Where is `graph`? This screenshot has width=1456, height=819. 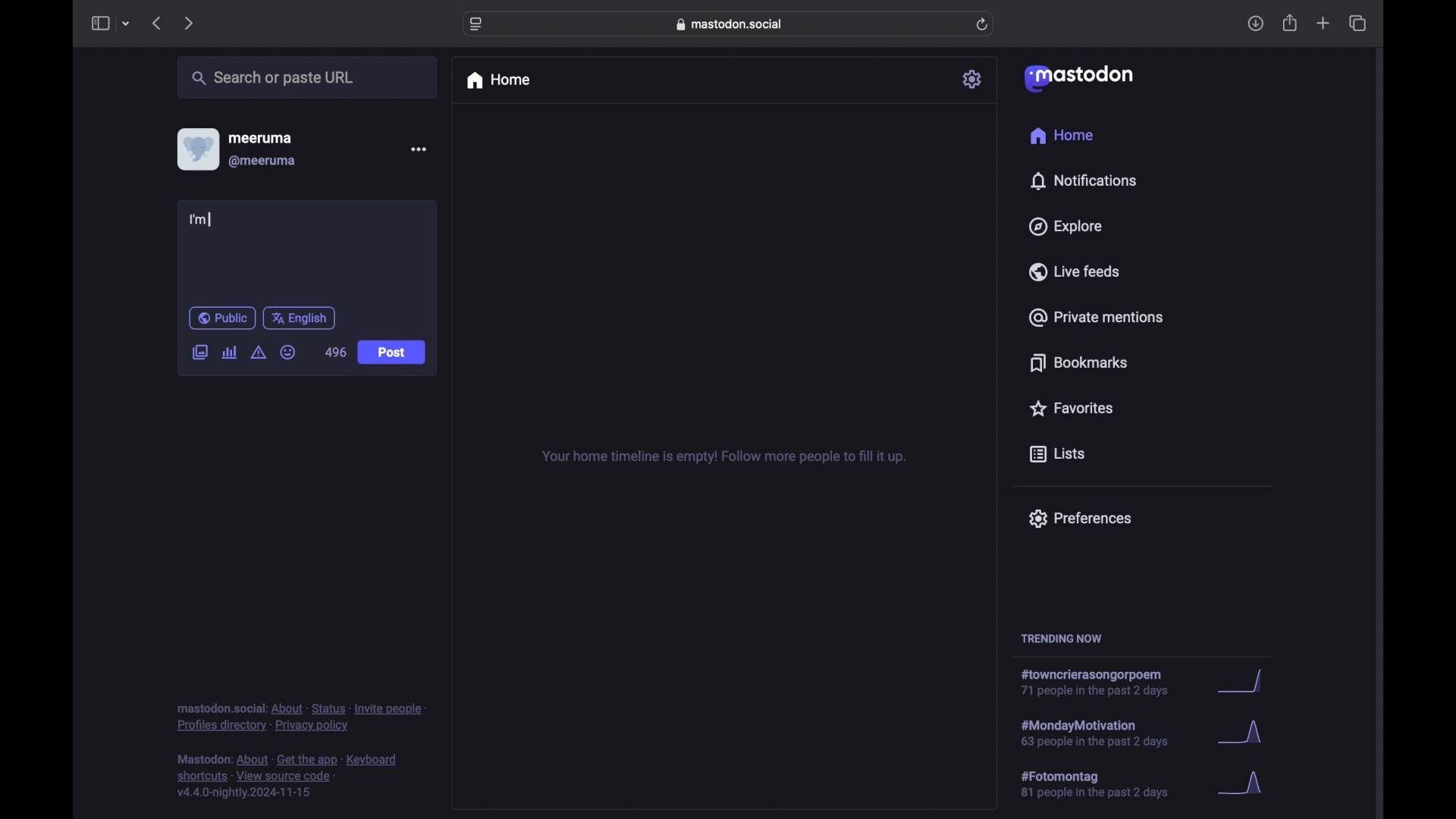 graph is located at coordinates (1246, 682).